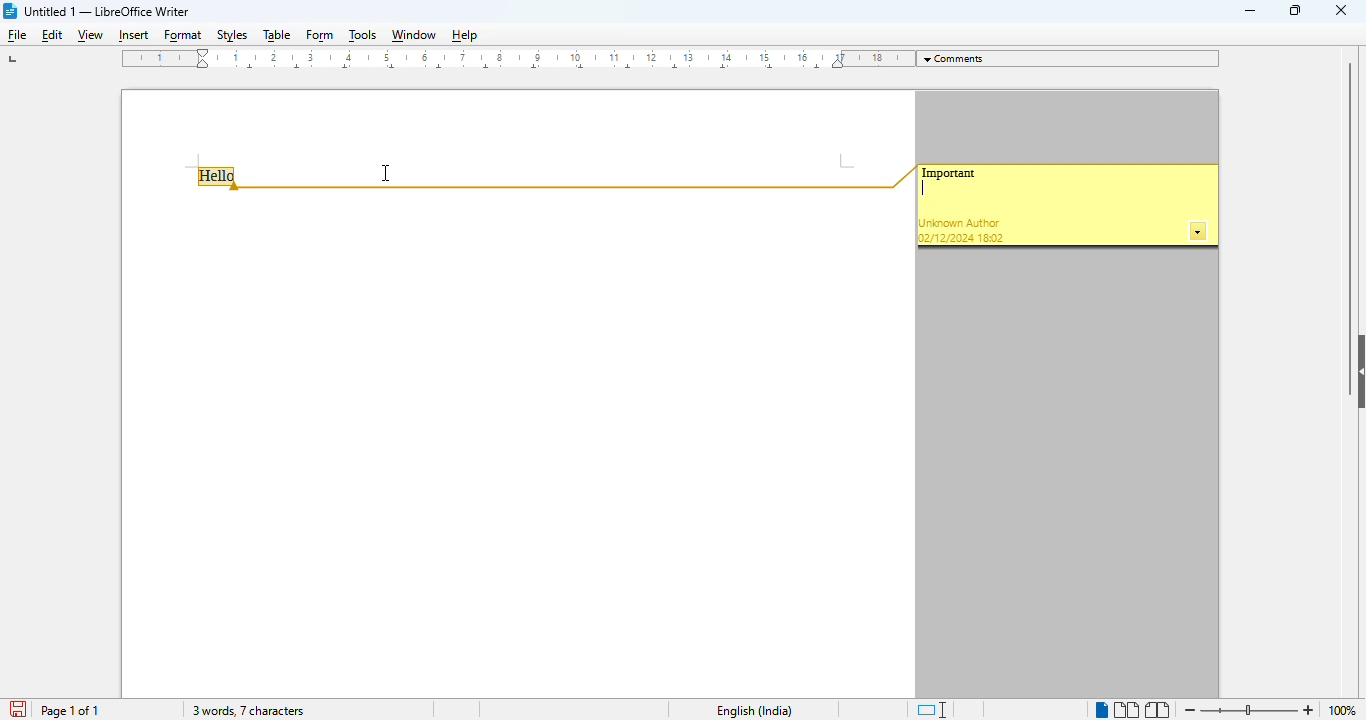 This screenshot has width=1366, height=720. I want to click on window, so click(413, 35).